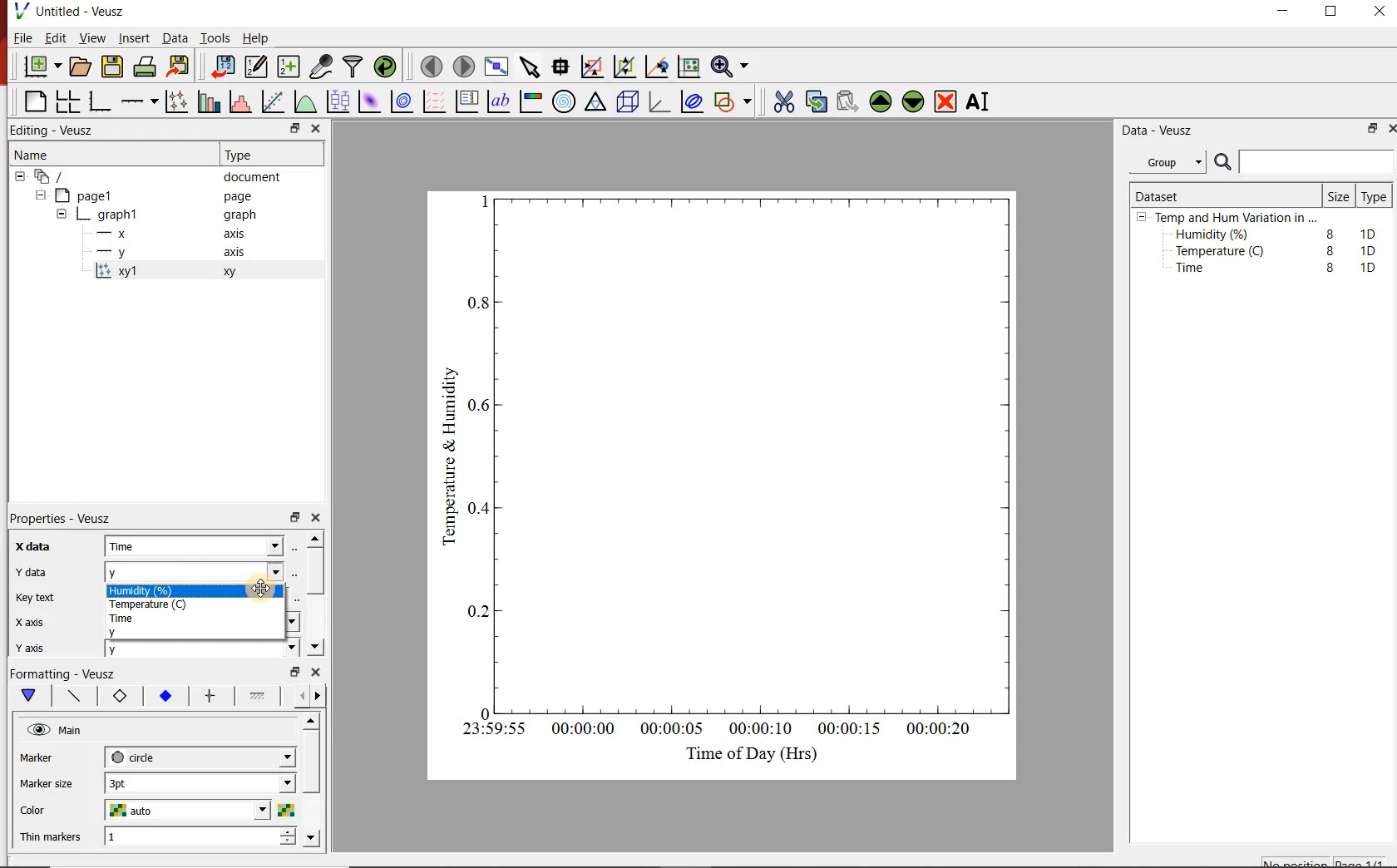  Describe the element at coordinates (53, 838) in the screenshot. I see `Thin Markers` at that location.